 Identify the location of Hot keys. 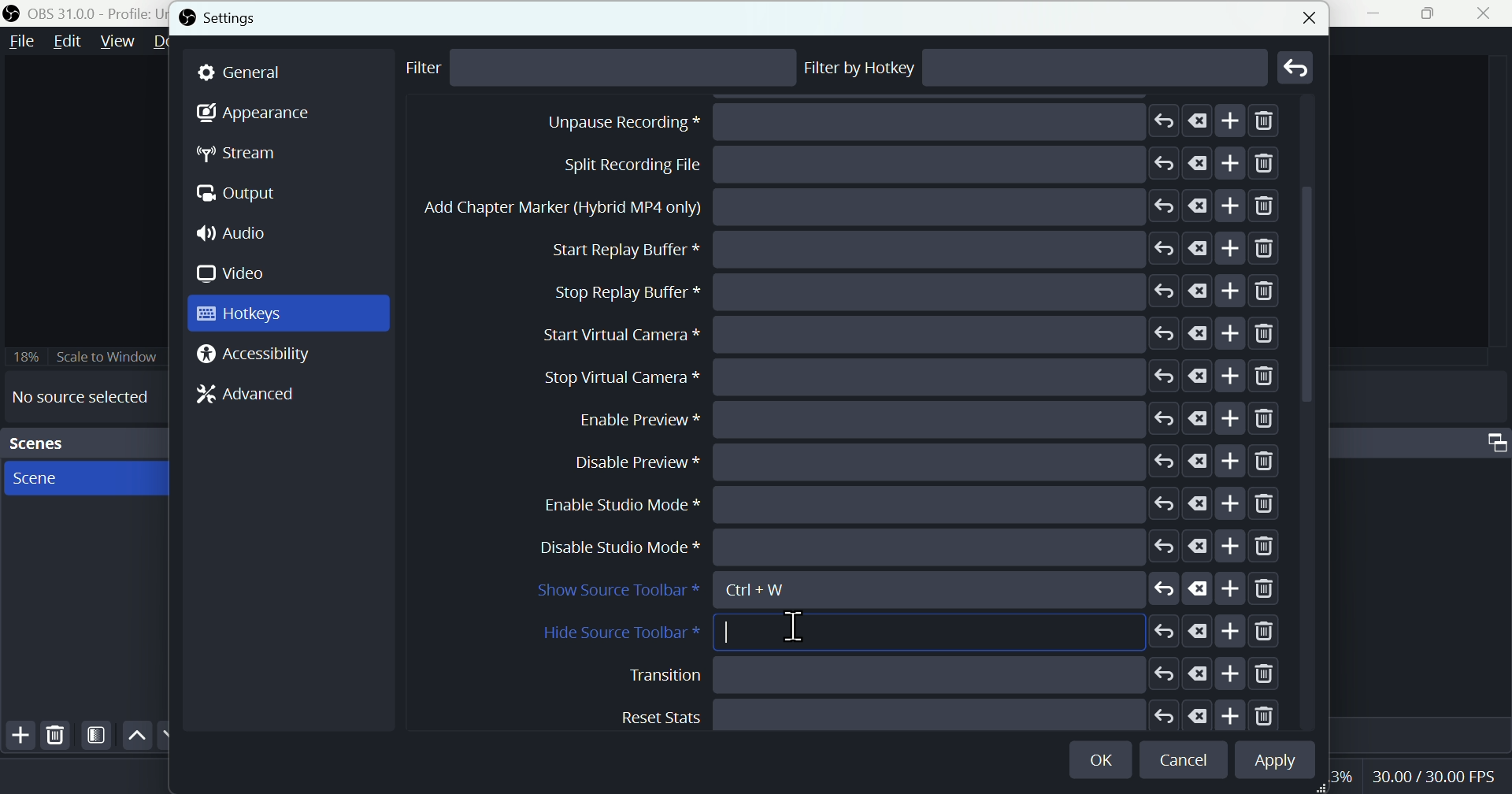
(288, 314).